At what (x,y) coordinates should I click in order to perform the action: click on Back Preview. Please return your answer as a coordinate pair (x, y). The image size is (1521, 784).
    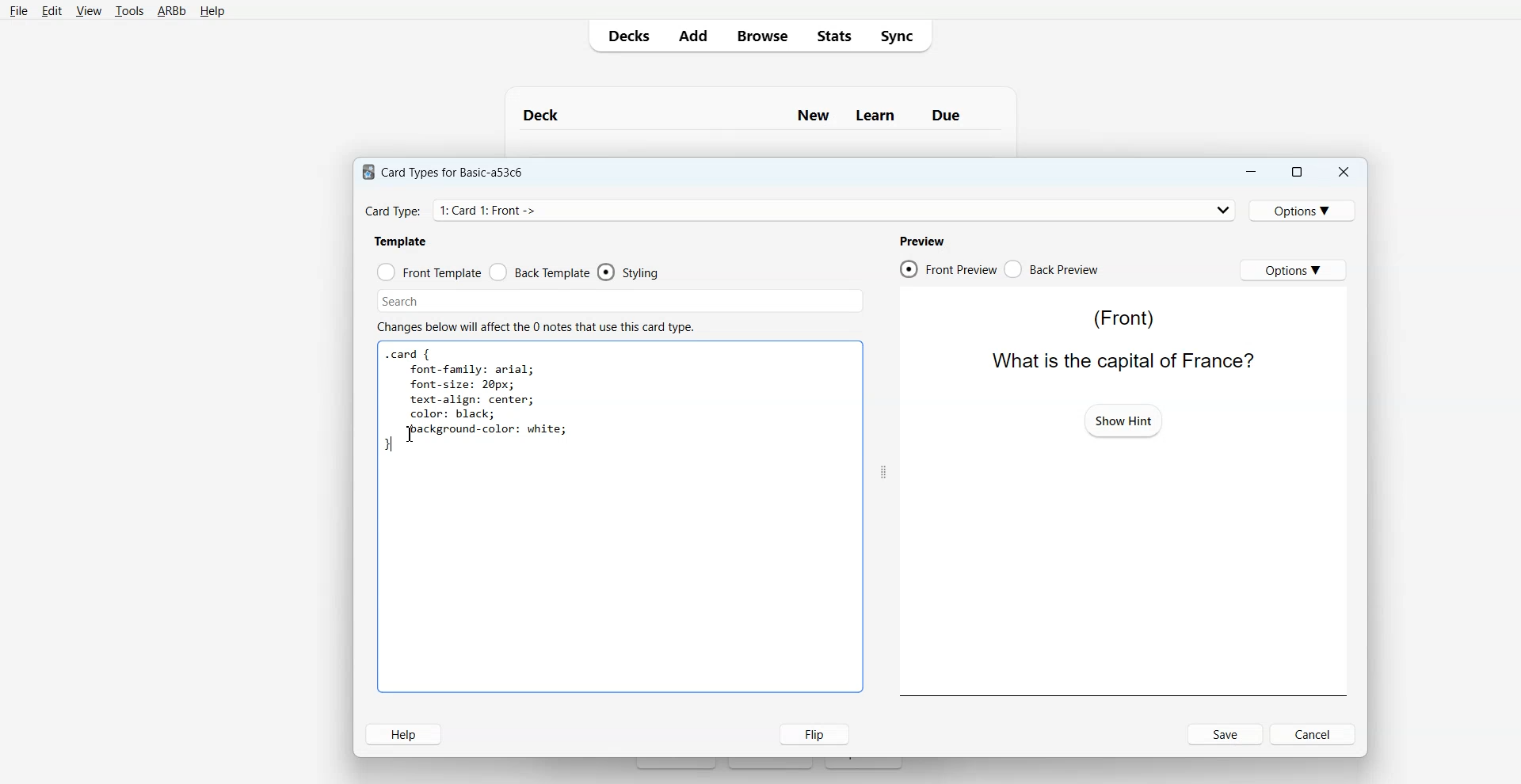
    Looking at the image, I should click on (1052, 269).